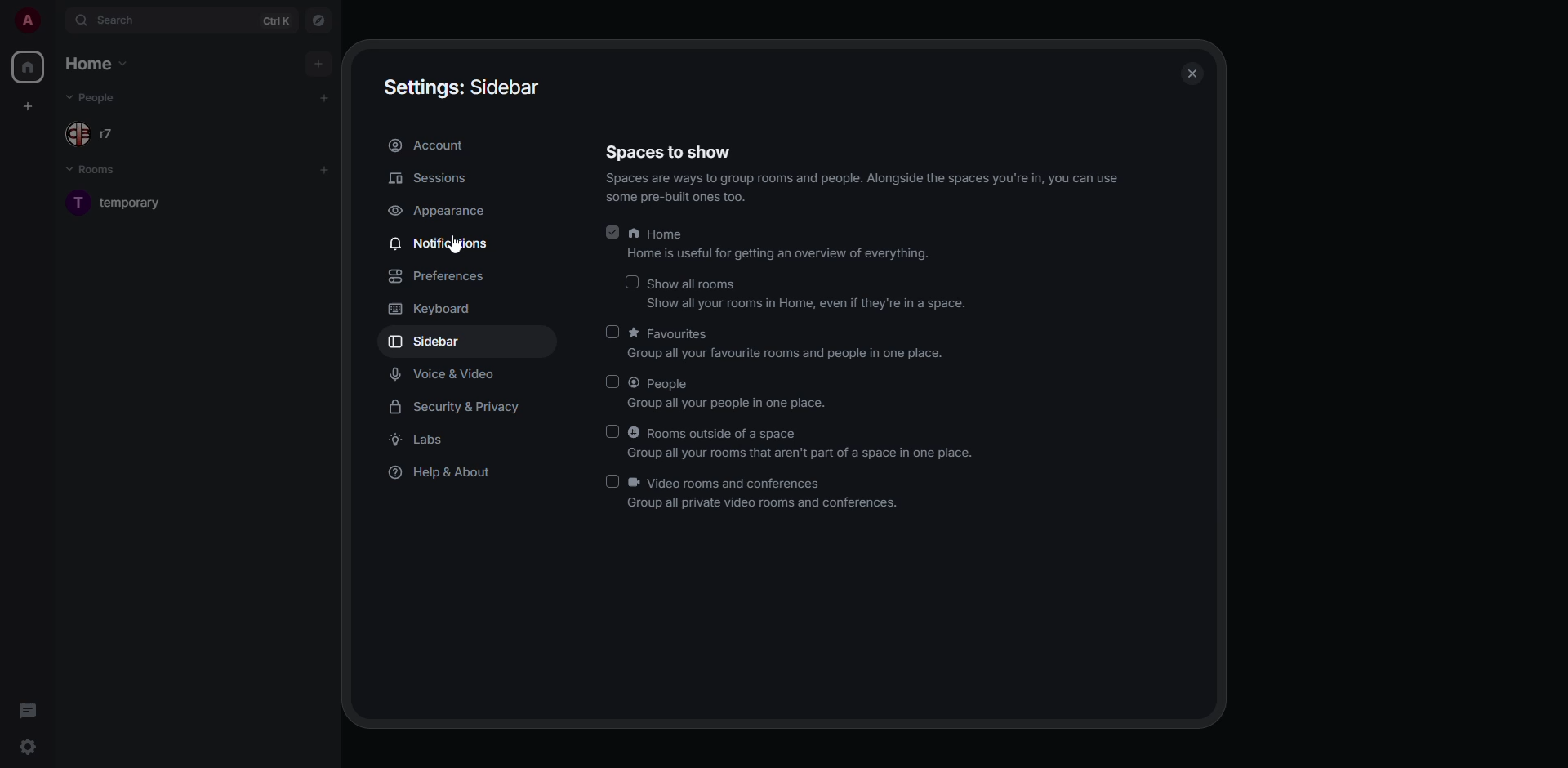 The height and width of the screenshot is (768, 1568). What do you see at coordinates (612, 482) in the screenshot?
I see `click to enable` at bounding box center [612, 482].